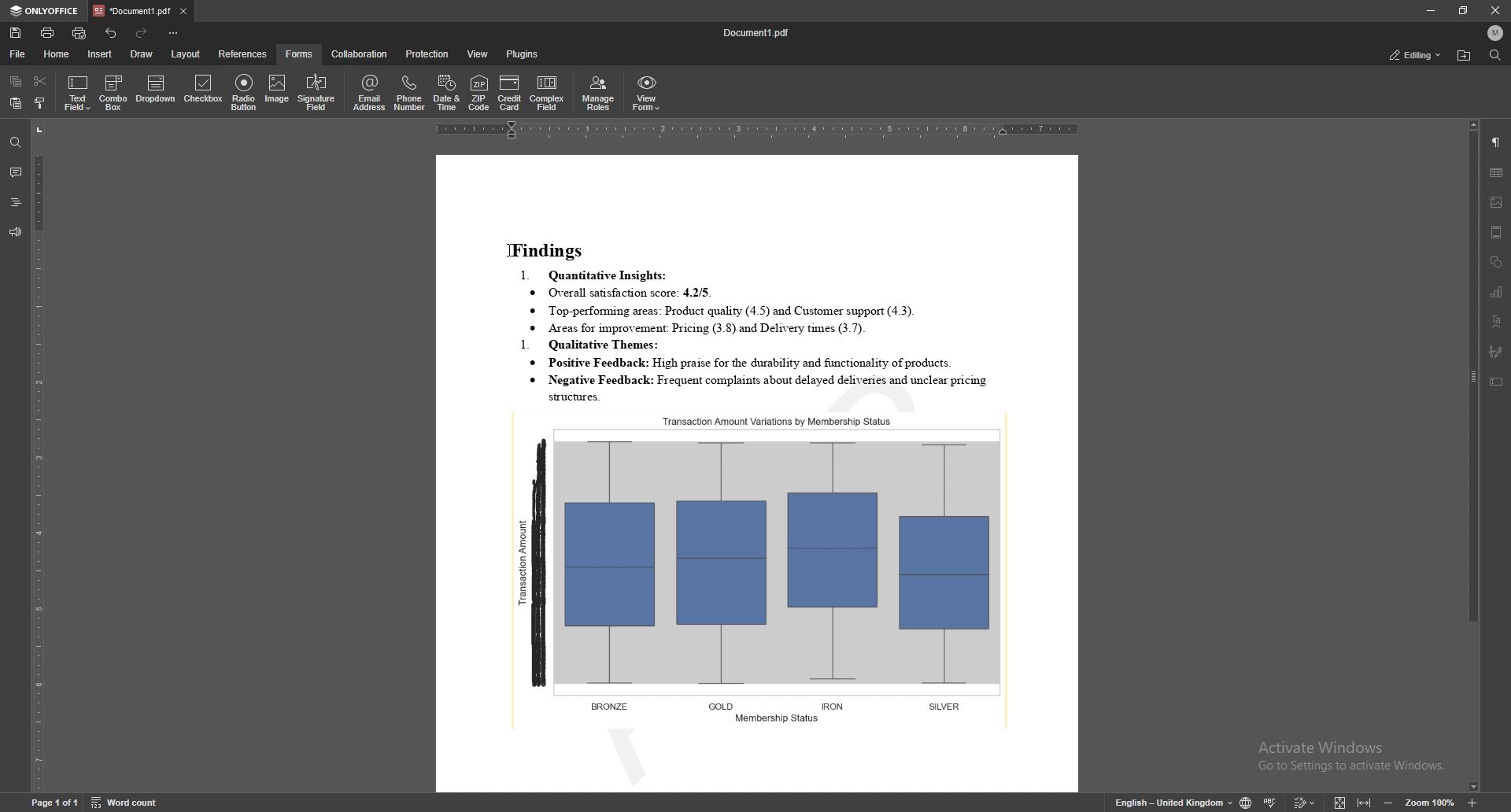 Image resolution: width=1511 pixels, height=812 pixels. What do you see at coordinates (522, 54) in the screenshot?
I see `plugins` at bounding box center [522, 54].